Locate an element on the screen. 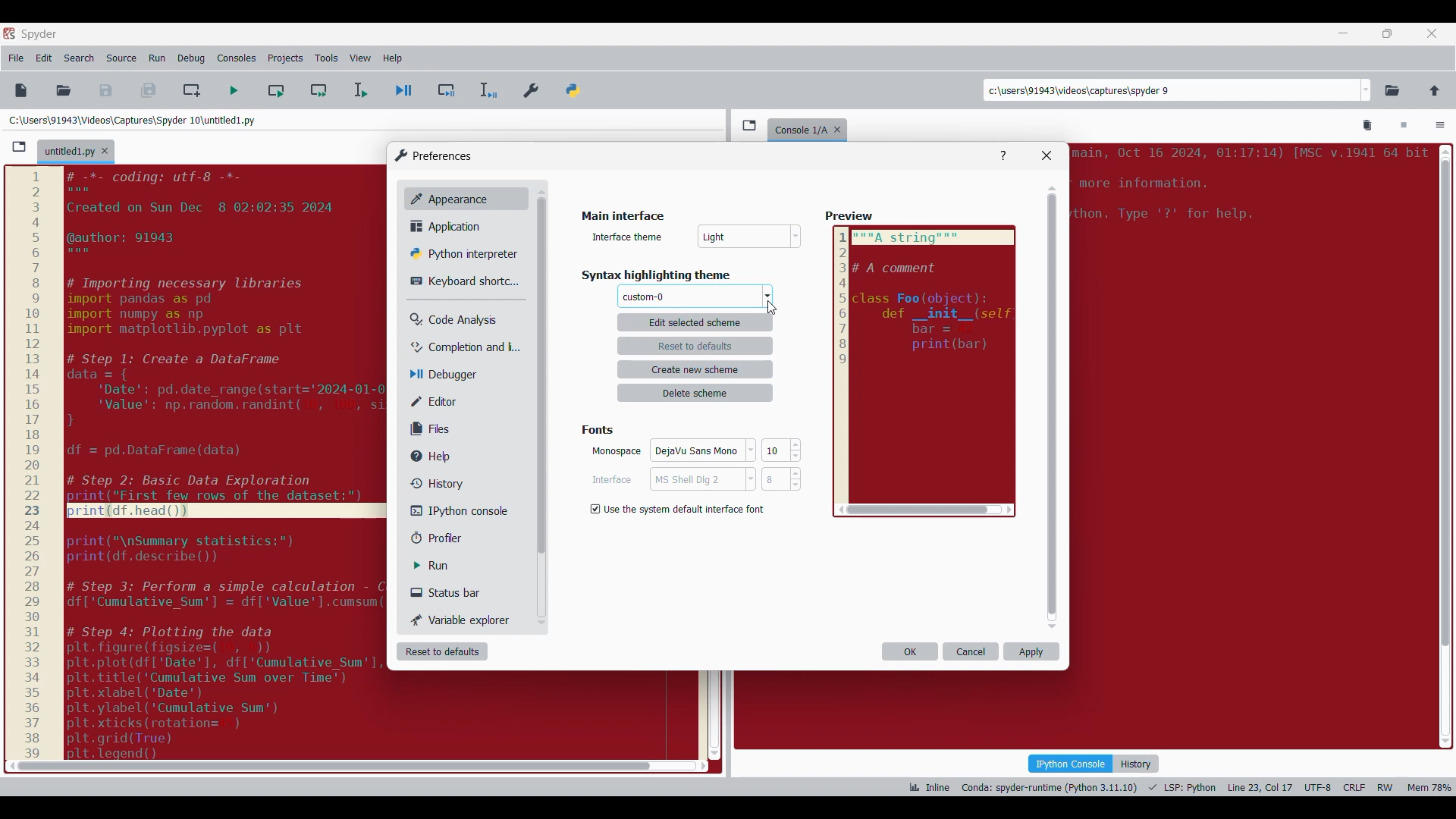  Preferences is located at coordinates (532, 87).